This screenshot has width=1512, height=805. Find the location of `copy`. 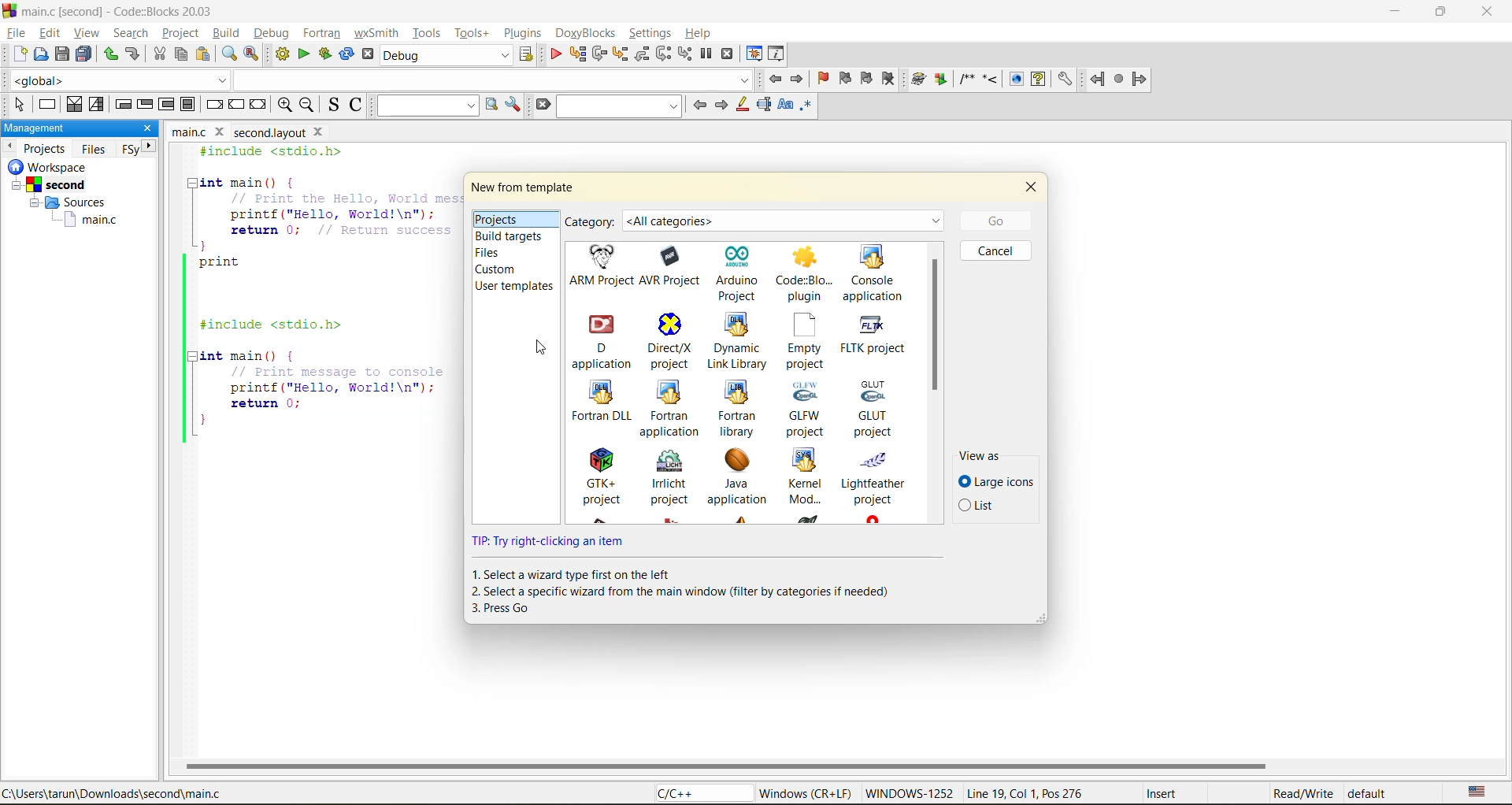

copy is located at coordinates (182, 54).